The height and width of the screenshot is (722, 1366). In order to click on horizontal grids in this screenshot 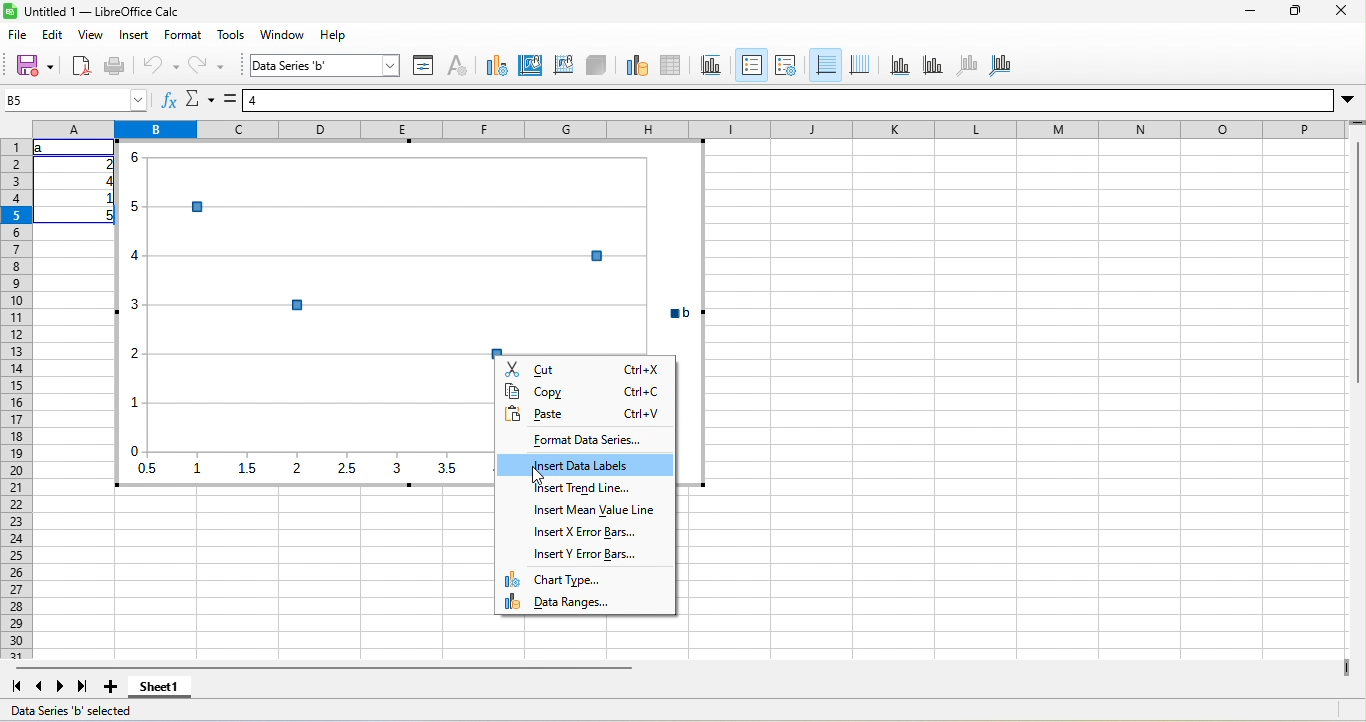, I will do `click(826, 66)`.